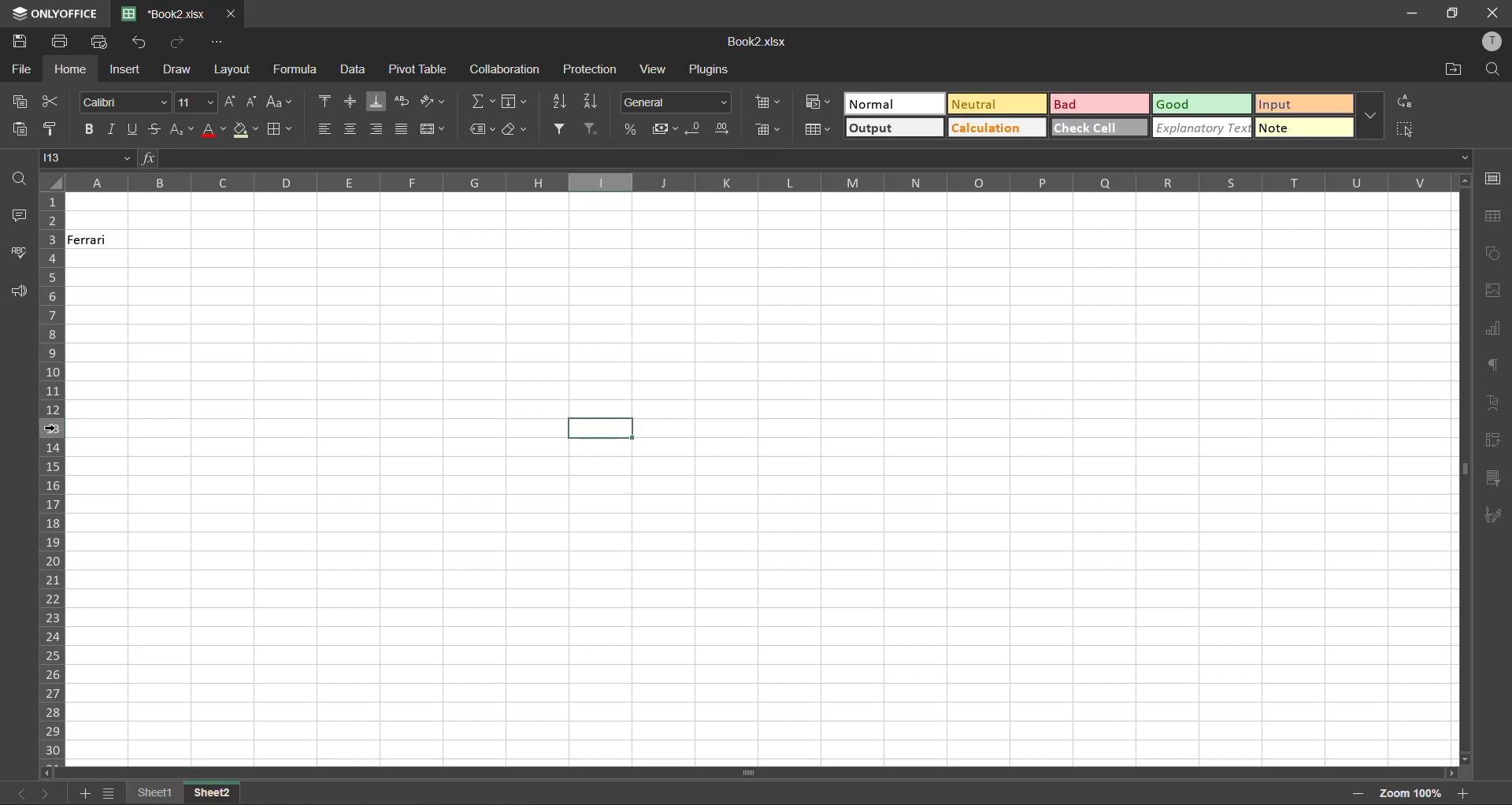  Describe the element at coordinates (667, 131) in the screenshot. I see `accounting` at that location.